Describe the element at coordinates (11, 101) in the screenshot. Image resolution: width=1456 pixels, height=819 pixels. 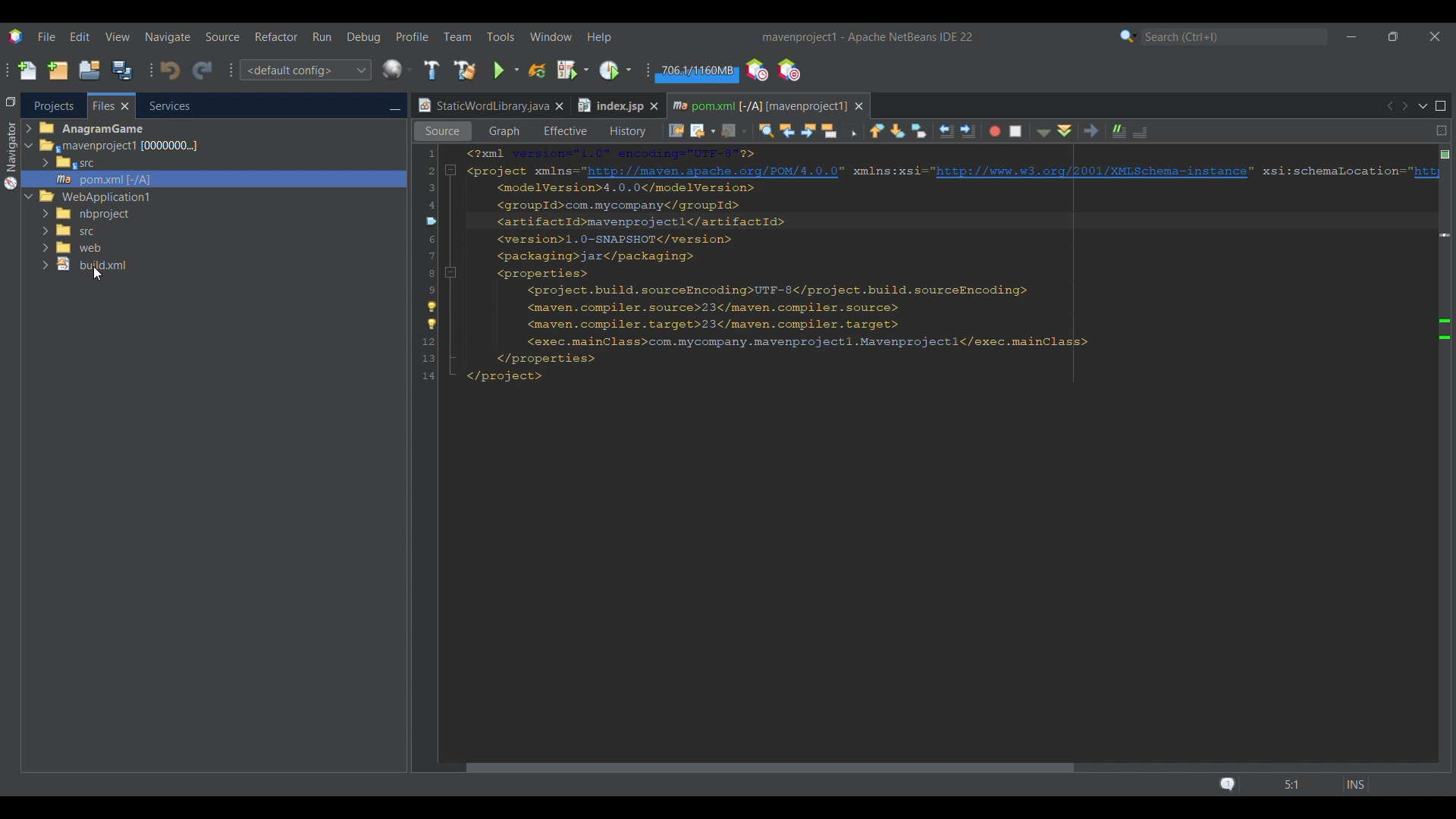
I see `Restore window group` at that location.